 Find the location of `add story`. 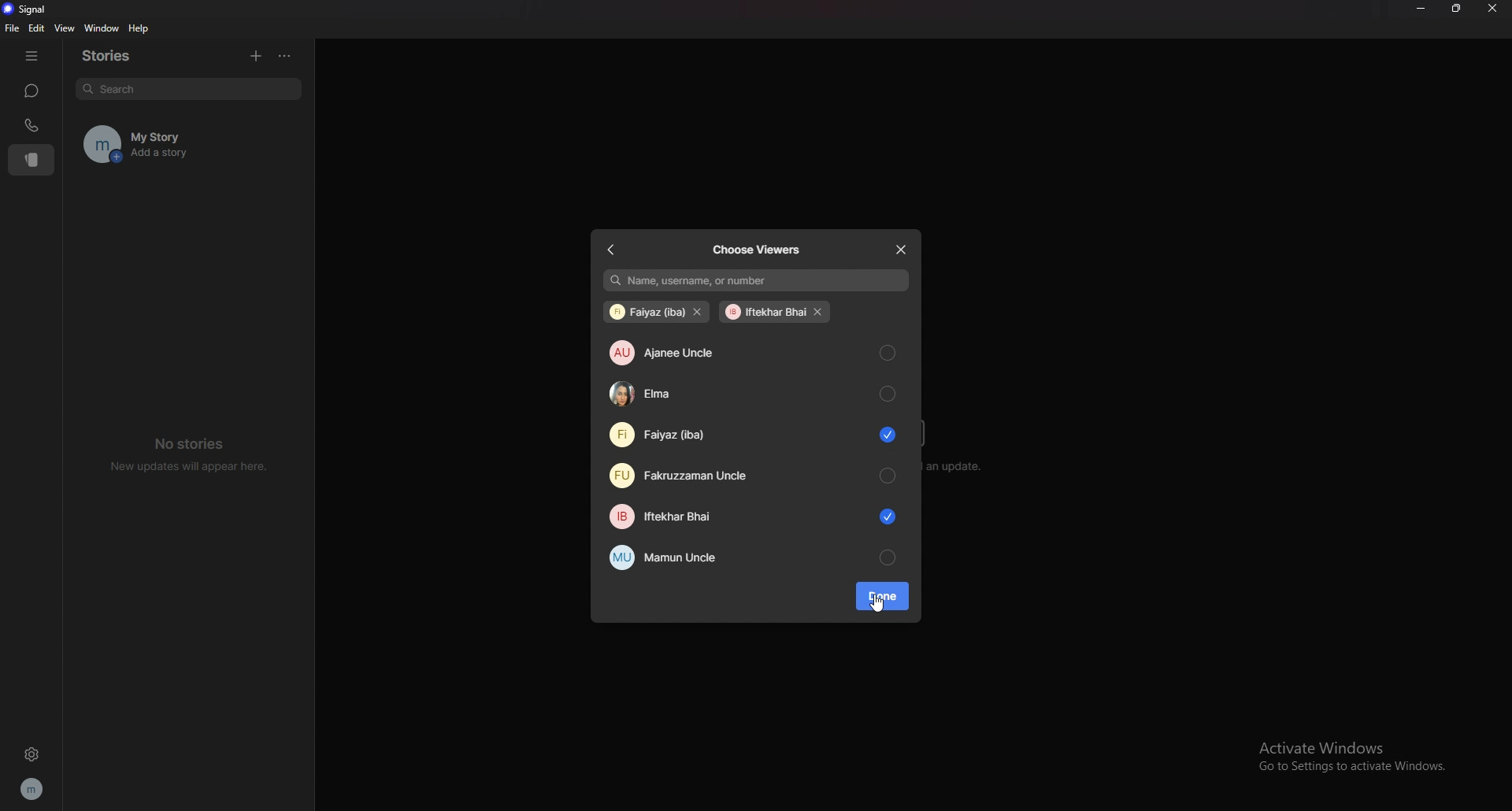

add story is located at coordinates (252, 54).